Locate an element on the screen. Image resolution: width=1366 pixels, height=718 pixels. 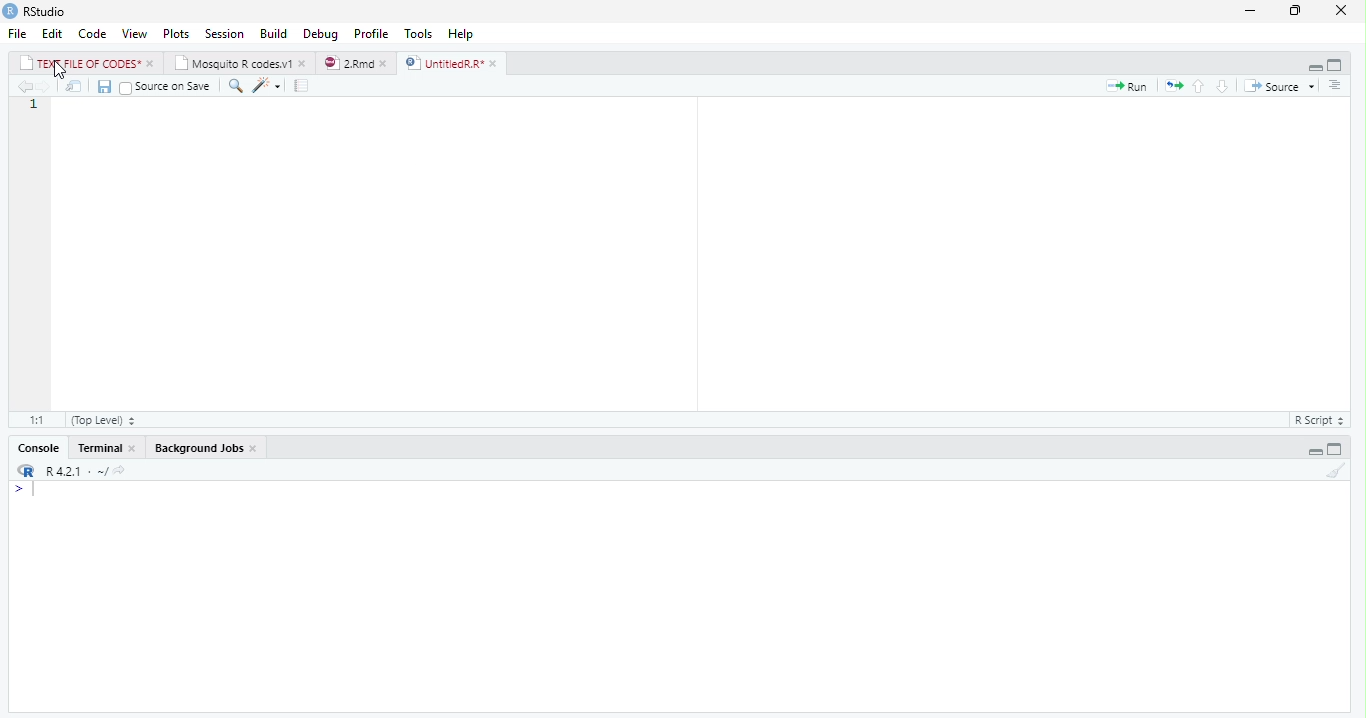
Outline is located at coordinates (1336, 85).